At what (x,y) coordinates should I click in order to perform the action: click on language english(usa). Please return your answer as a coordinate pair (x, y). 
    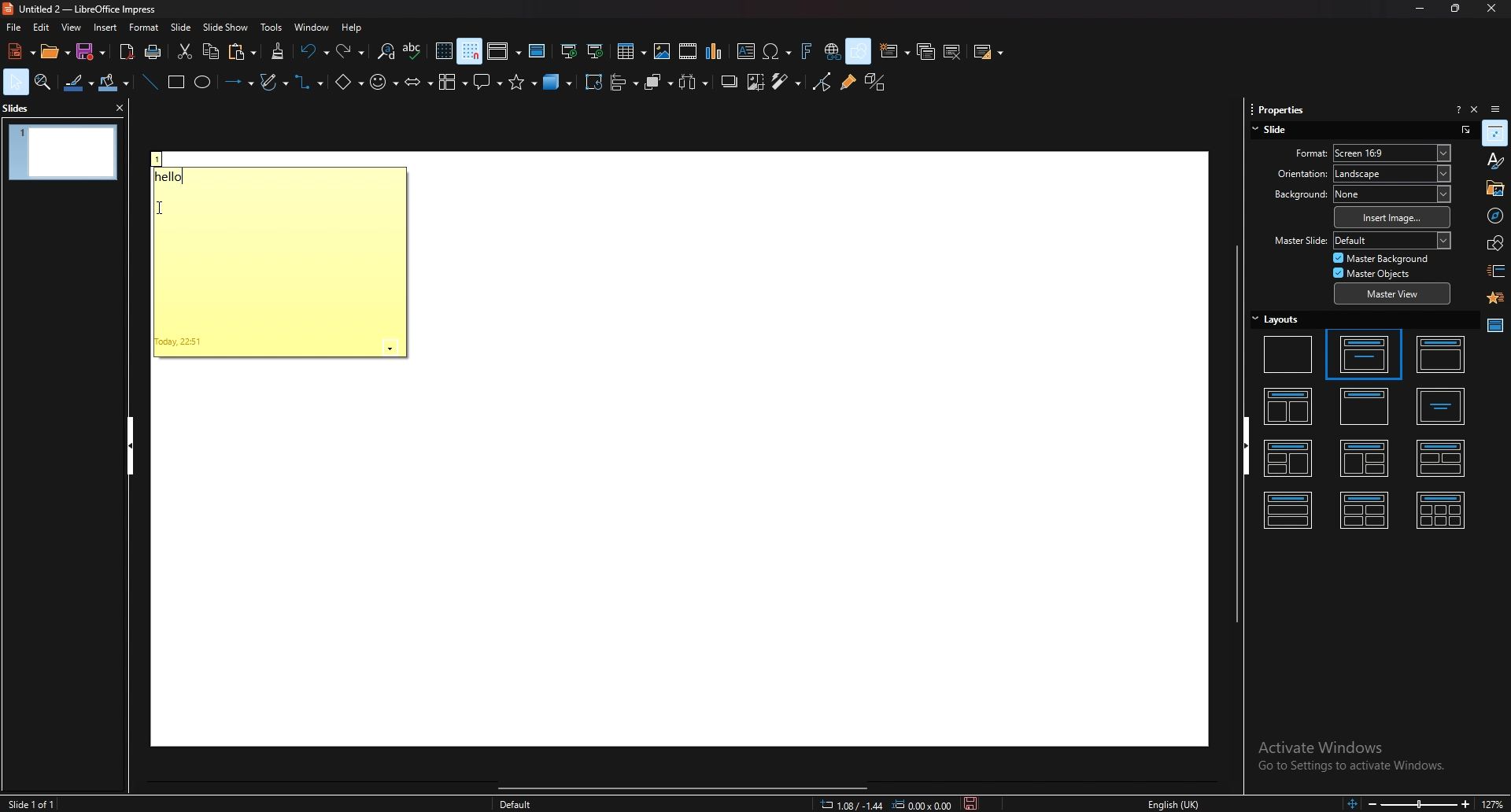
    Looking at the image, I should click on (1173, 803).